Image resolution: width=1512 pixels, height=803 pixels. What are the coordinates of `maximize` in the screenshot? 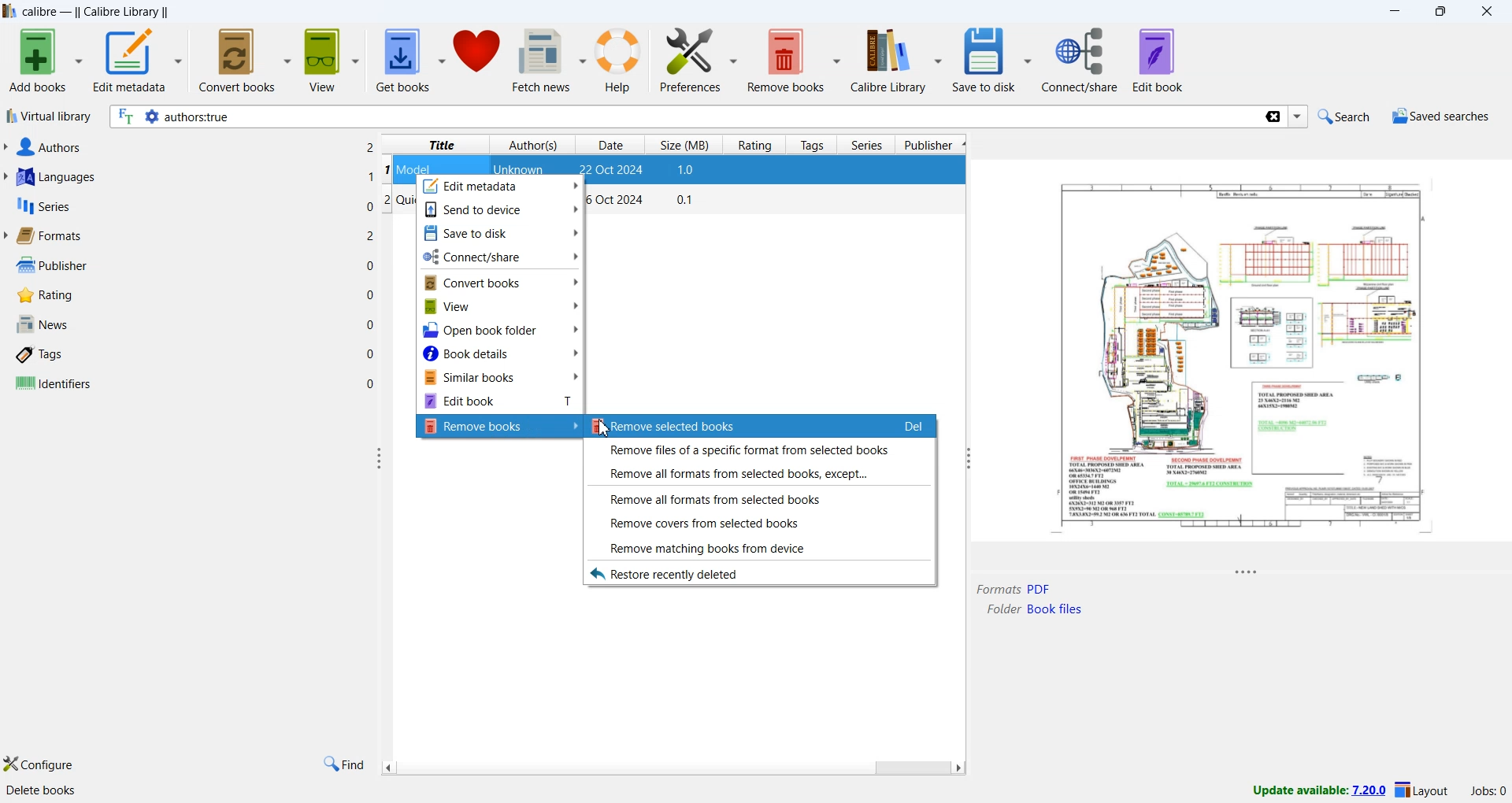 It's located at (1443, 13).